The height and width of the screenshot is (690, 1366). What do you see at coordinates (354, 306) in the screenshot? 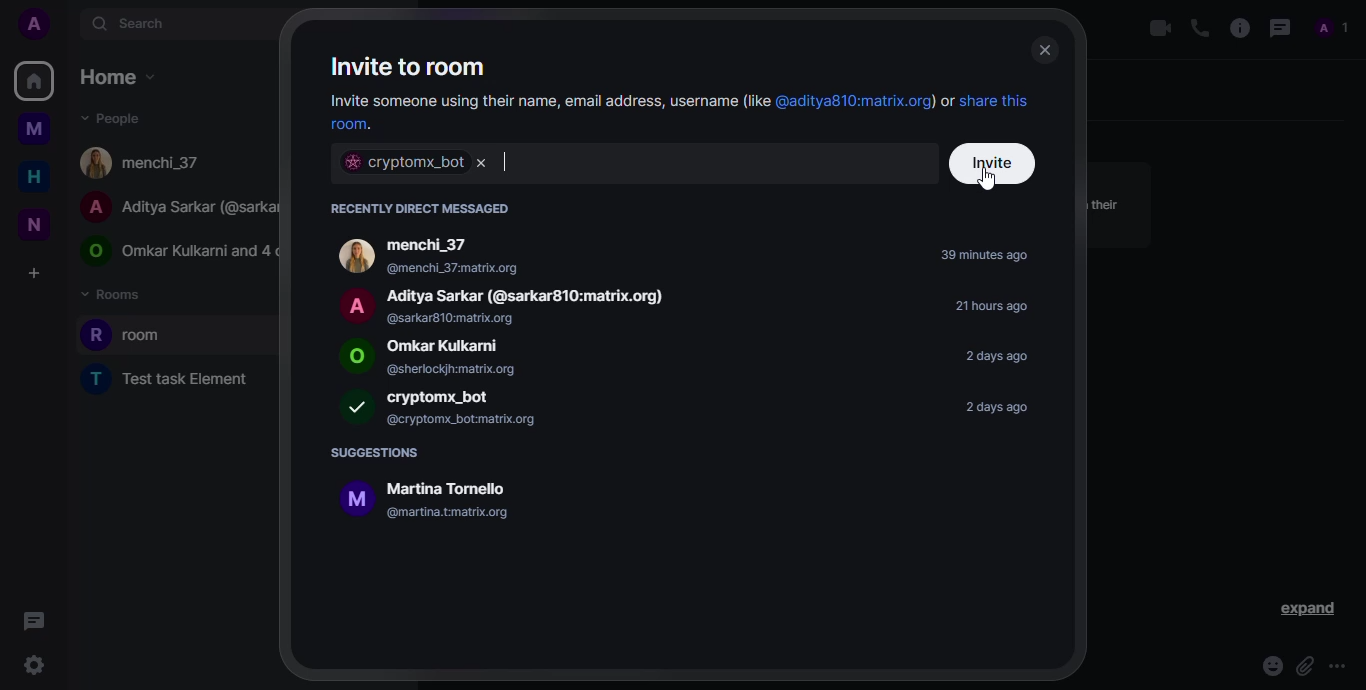
I see `logo` at bounding box center [354, 306].